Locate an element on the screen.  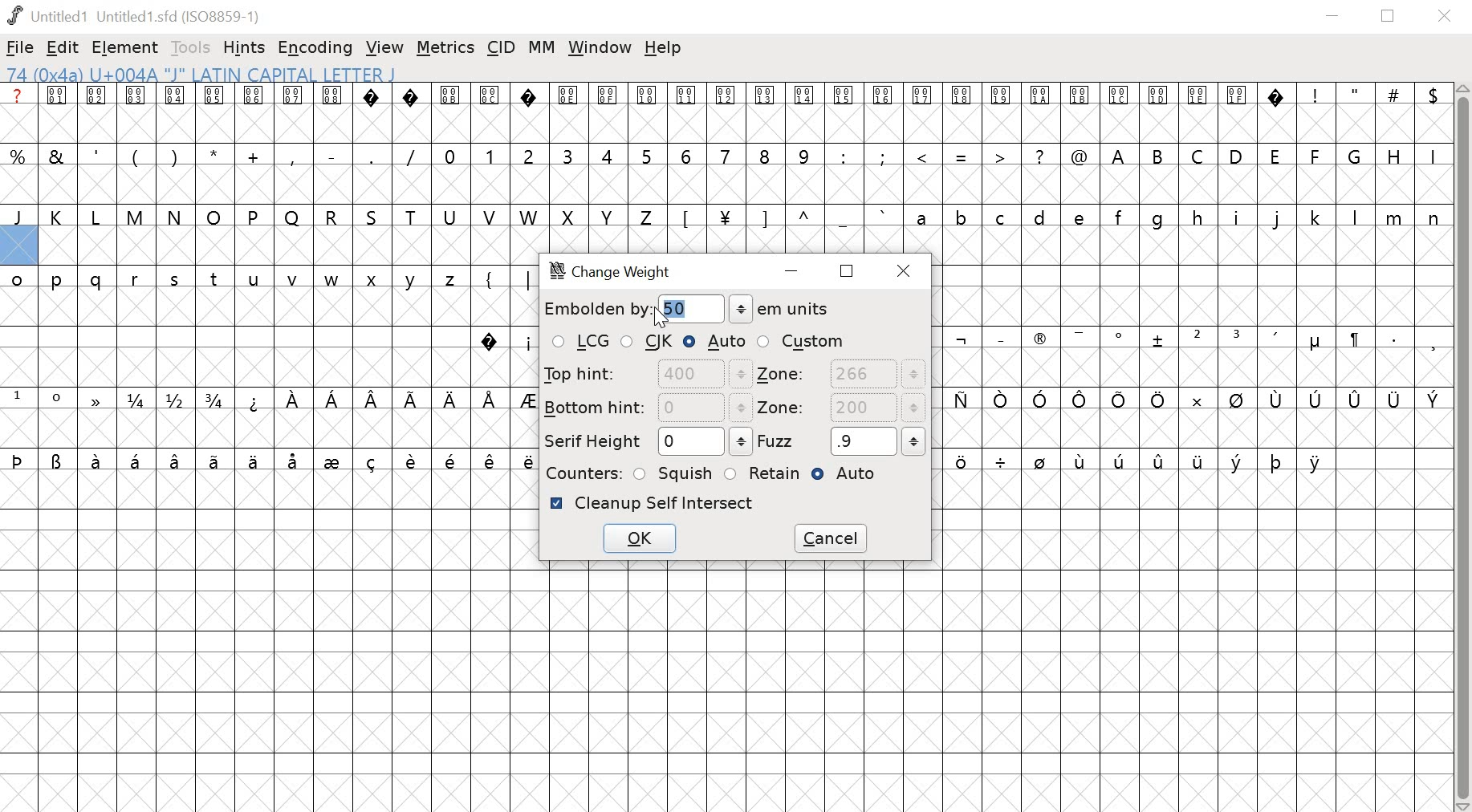
em units is located at coordinates (780, 309).